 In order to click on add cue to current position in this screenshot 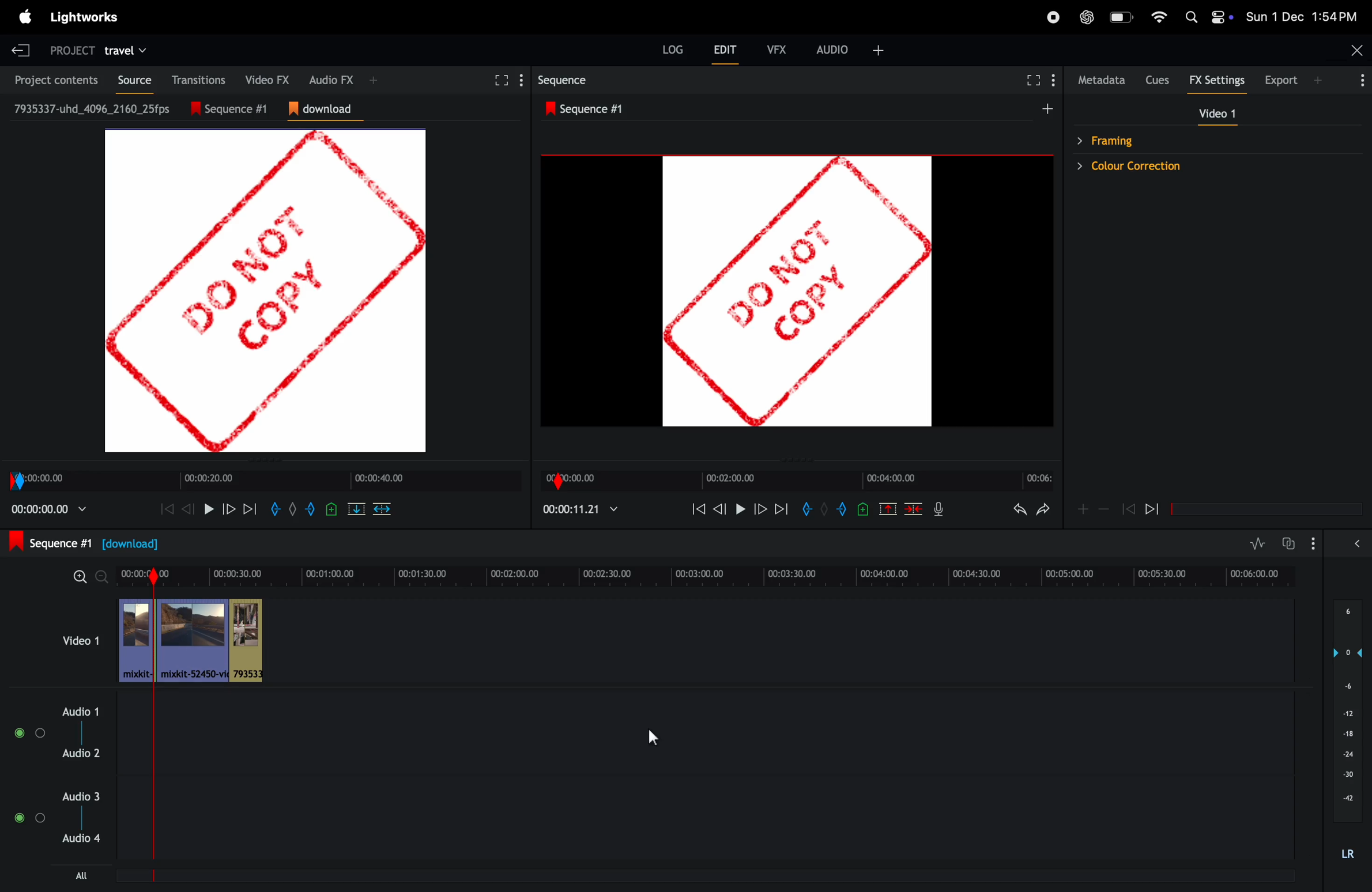, I will do `click(863, 509)`.